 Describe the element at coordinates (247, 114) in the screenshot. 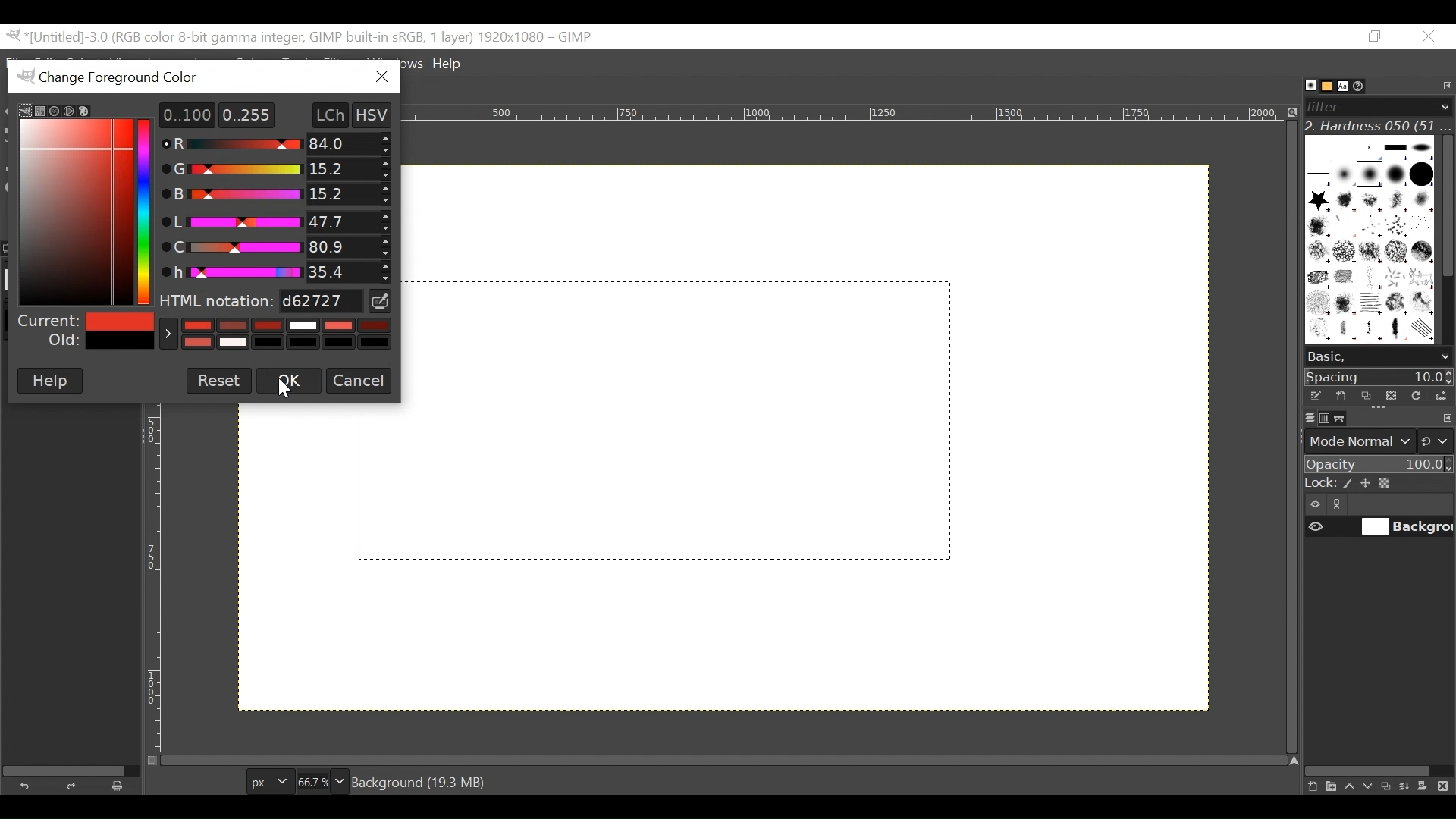

I see `0.255` at that location.